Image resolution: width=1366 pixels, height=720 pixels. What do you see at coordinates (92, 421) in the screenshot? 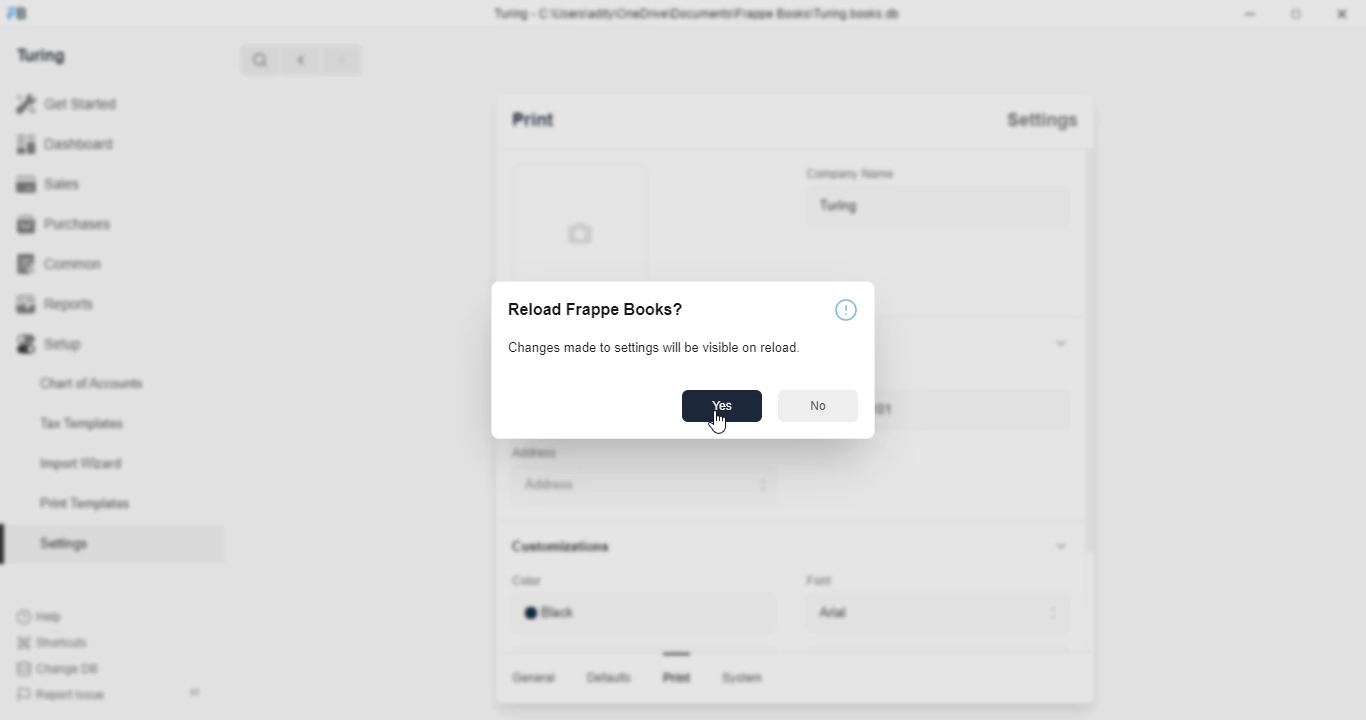
I see `Tax Templates` at bounding box center [92, 421].